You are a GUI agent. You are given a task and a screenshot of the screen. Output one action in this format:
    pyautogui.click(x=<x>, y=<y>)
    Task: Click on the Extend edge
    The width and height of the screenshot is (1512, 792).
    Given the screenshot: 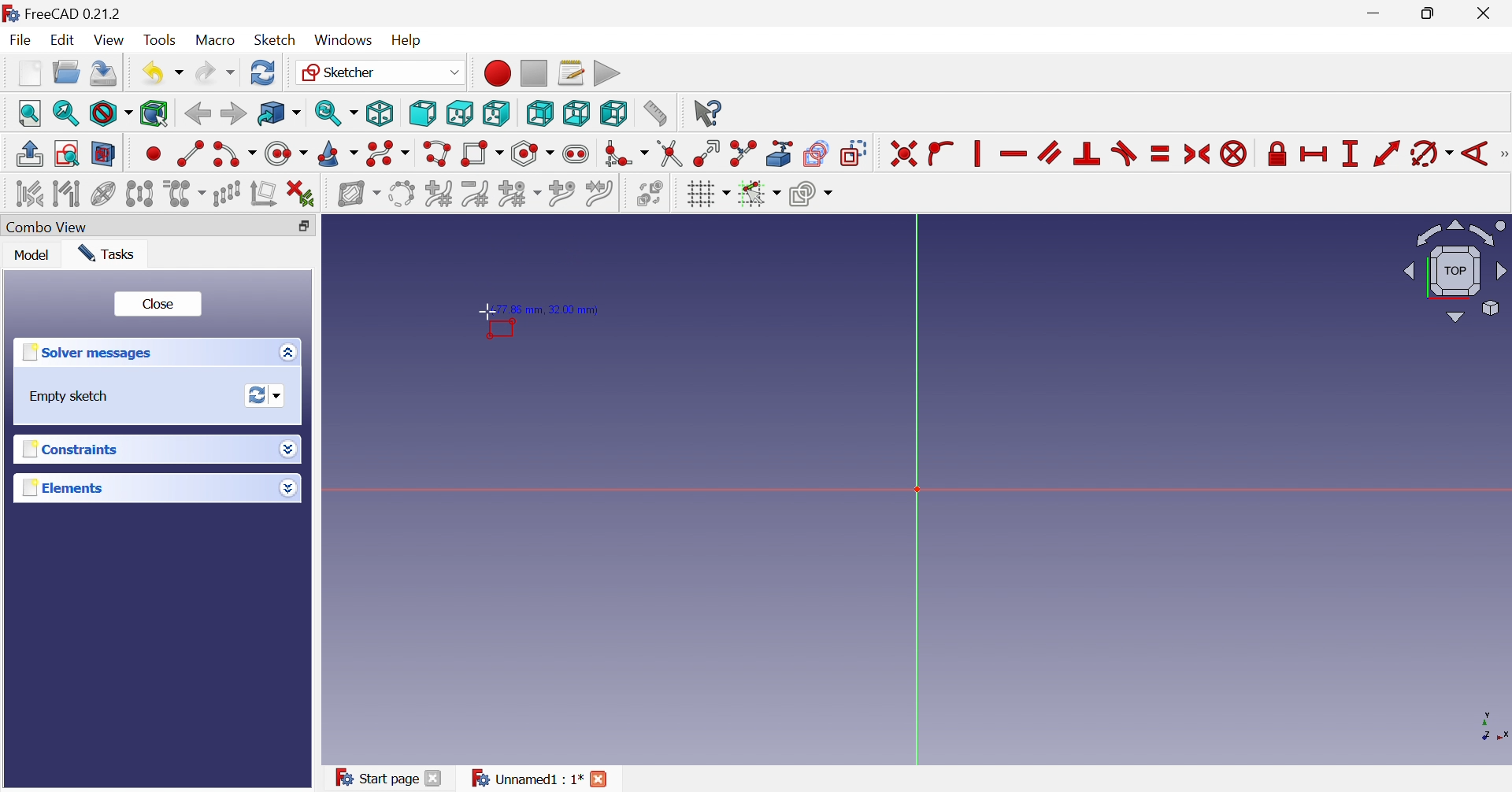 What is the action you would take?
    pyautogui.click(x=706, y=154)
    